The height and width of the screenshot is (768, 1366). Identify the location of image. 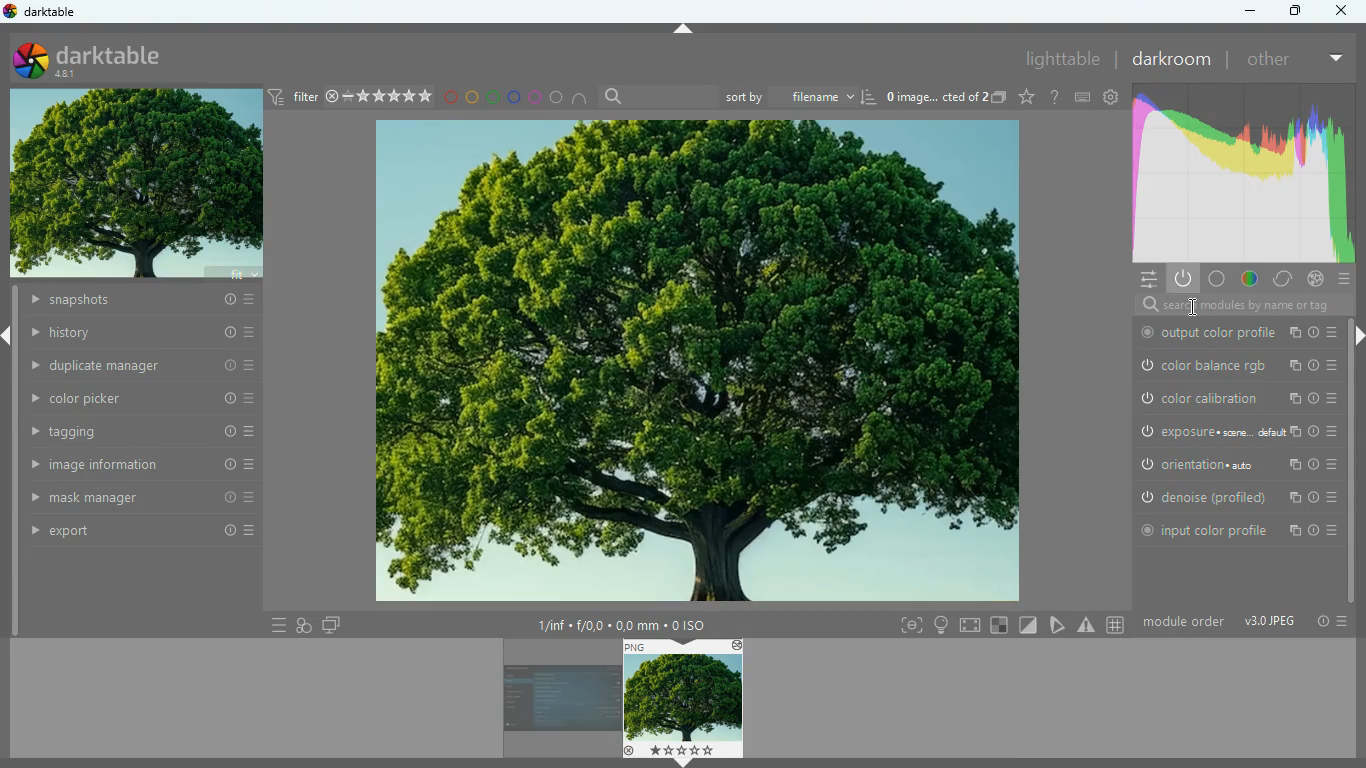
(682, 698).